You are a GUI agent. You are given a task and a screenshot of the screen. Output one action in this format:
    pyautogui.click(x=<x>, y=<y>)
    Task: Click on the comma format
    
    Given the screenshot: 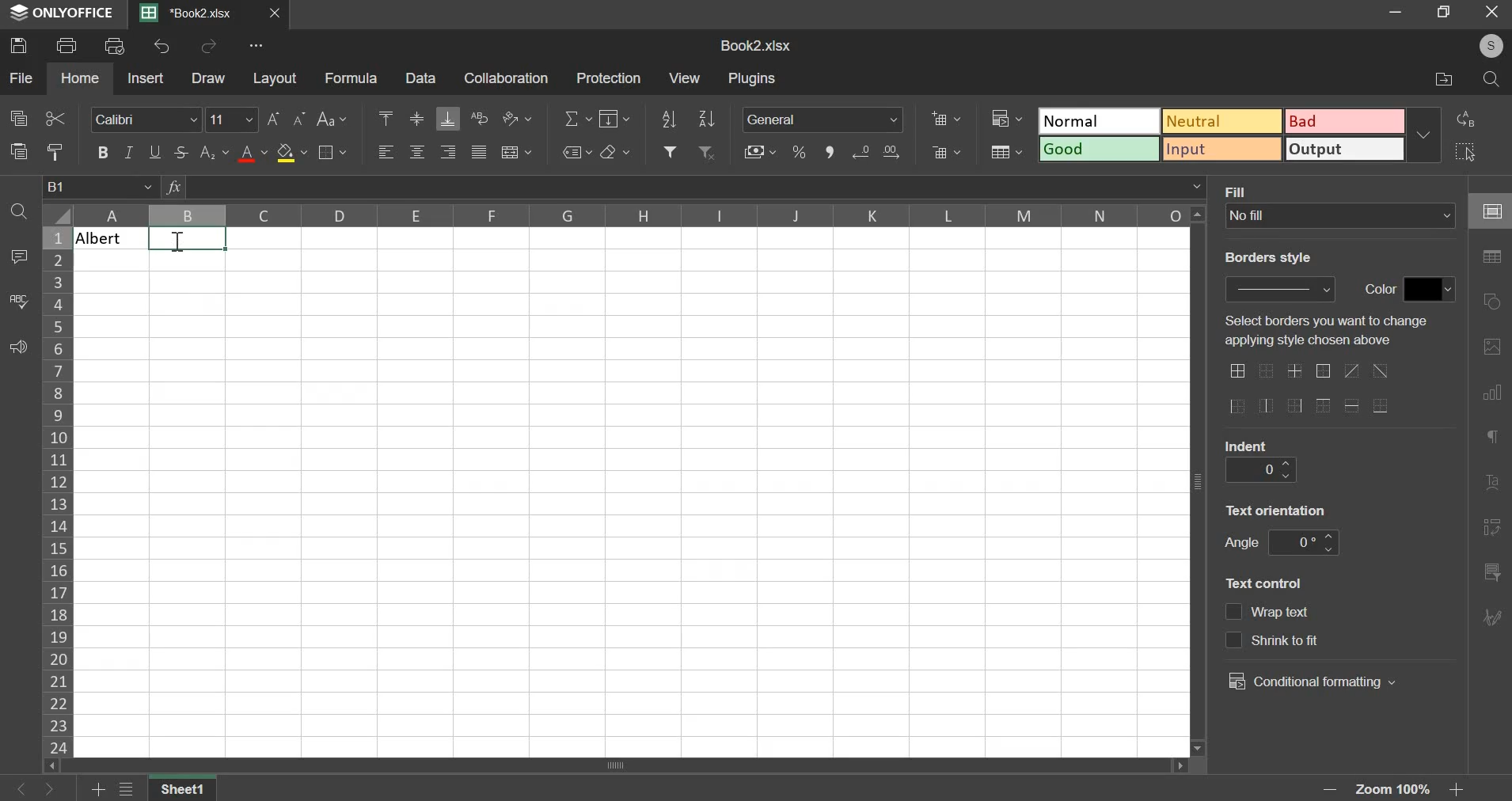 What is the action you would take?
    pyautogui.click(x=829, y=150)
    